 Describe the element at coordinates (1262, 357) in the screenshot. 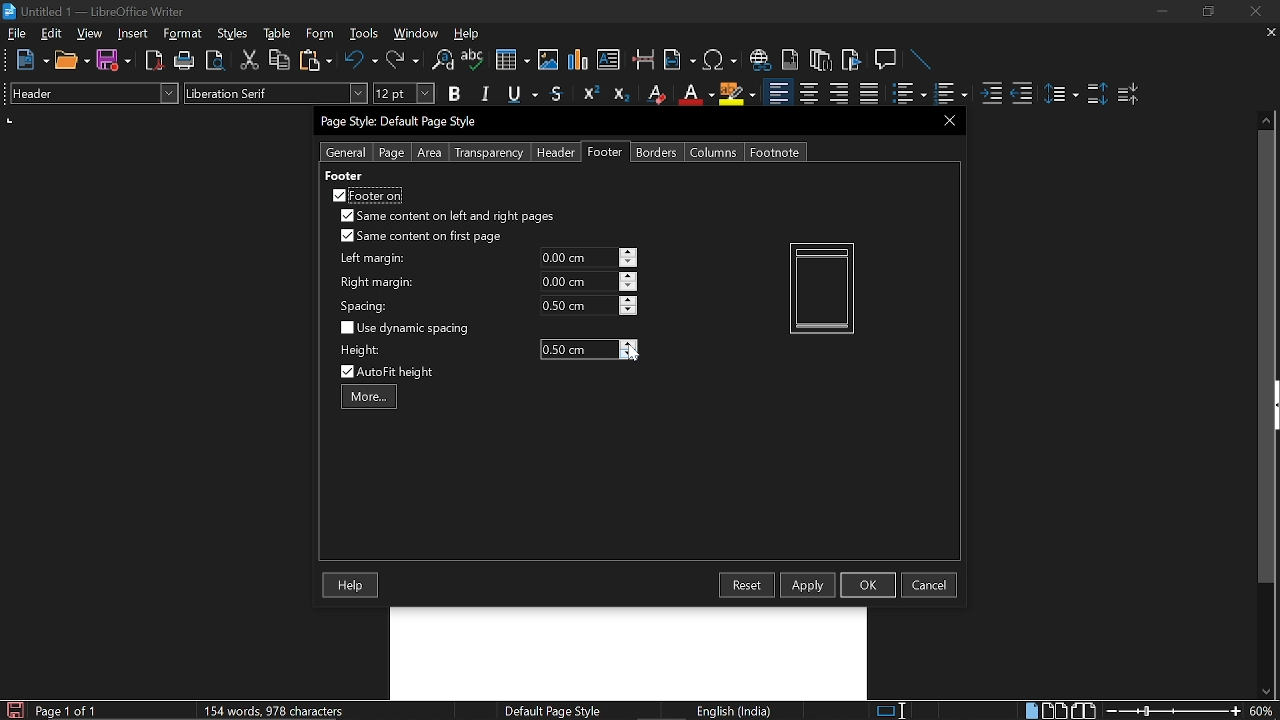

I see `vertical scrollbar` at that location.